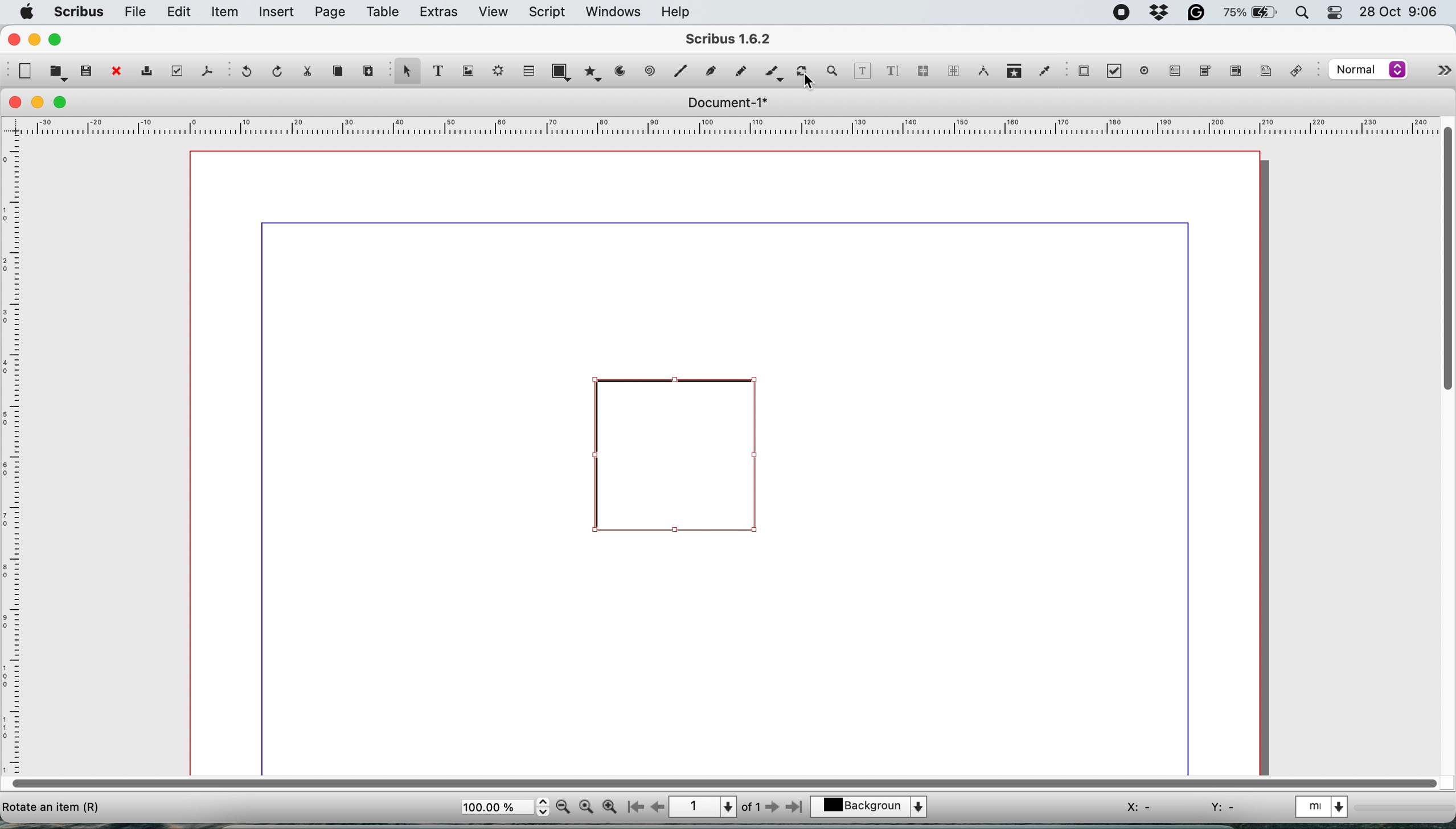  I want to click on zoom in, so click(609, 807).